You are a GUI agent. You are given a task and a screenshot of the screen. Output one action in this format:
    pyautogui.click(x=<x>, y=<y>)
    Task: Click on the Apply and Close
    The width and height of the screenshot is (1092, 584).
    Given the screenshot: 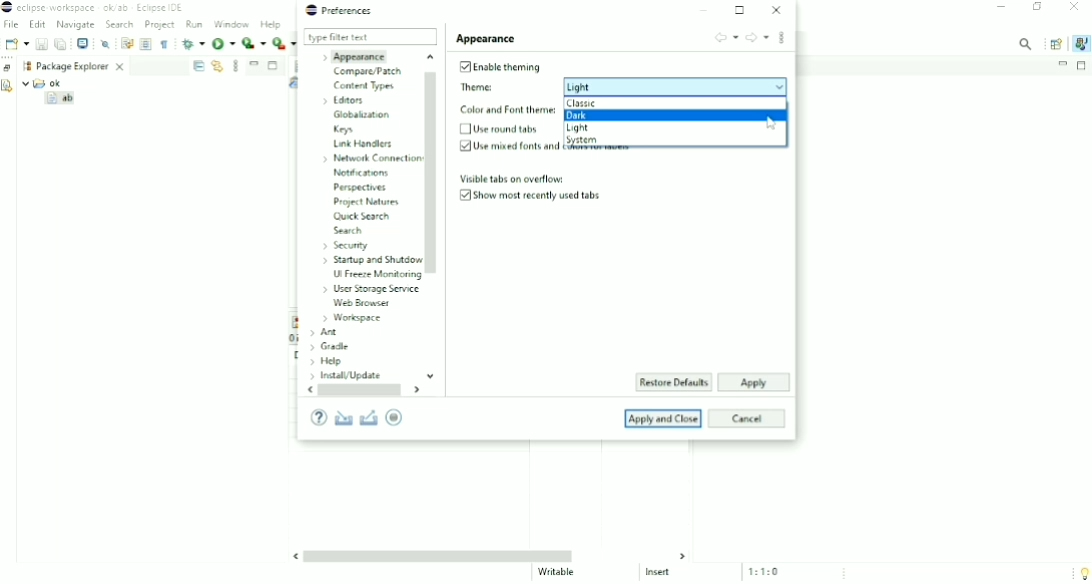 What is the action you would take?
    pyautogui.click(x=664, y=418)
    